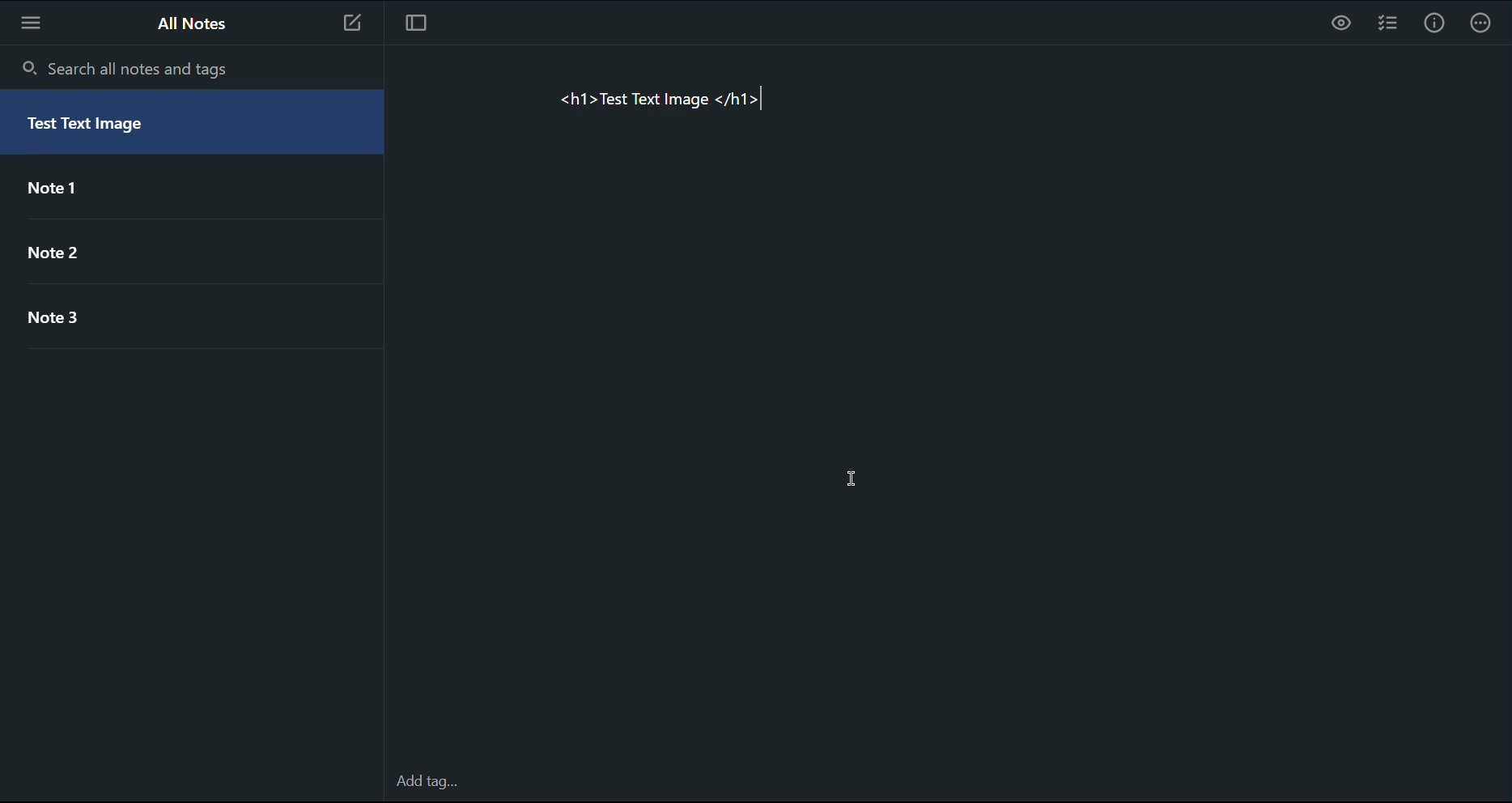 This screenshot has height=803, width=1512. What do you see at coordinates (1392, 24) in the screenshot?
I see `Checklist` at bounding box center [1392, 24].